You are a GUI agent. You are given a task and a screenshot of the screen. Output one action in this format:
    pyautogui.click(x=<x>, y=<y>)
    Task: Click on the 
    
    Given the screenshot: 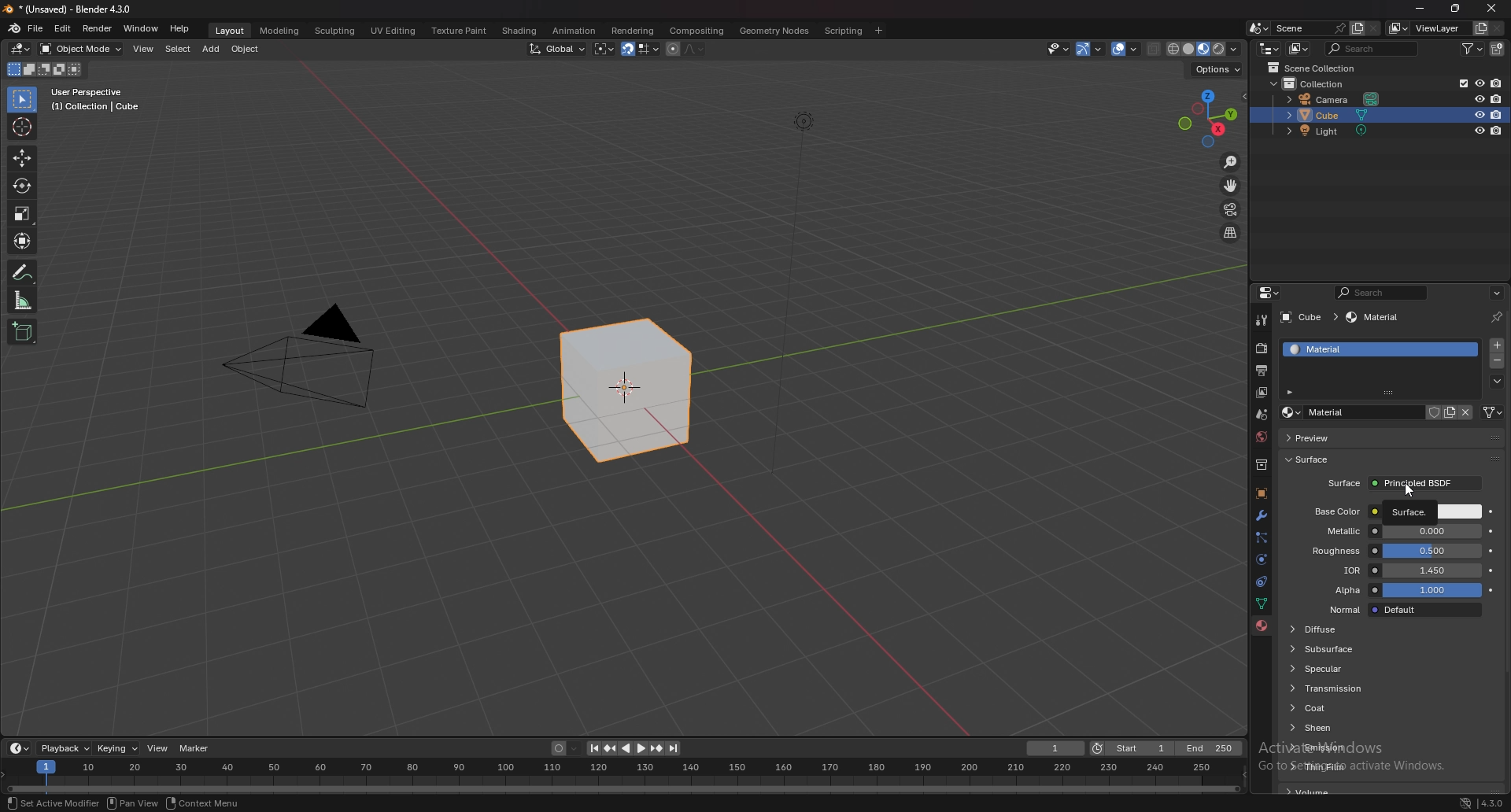 What is the action you would take?
    pyautogui.click(x=140, y=803)
    